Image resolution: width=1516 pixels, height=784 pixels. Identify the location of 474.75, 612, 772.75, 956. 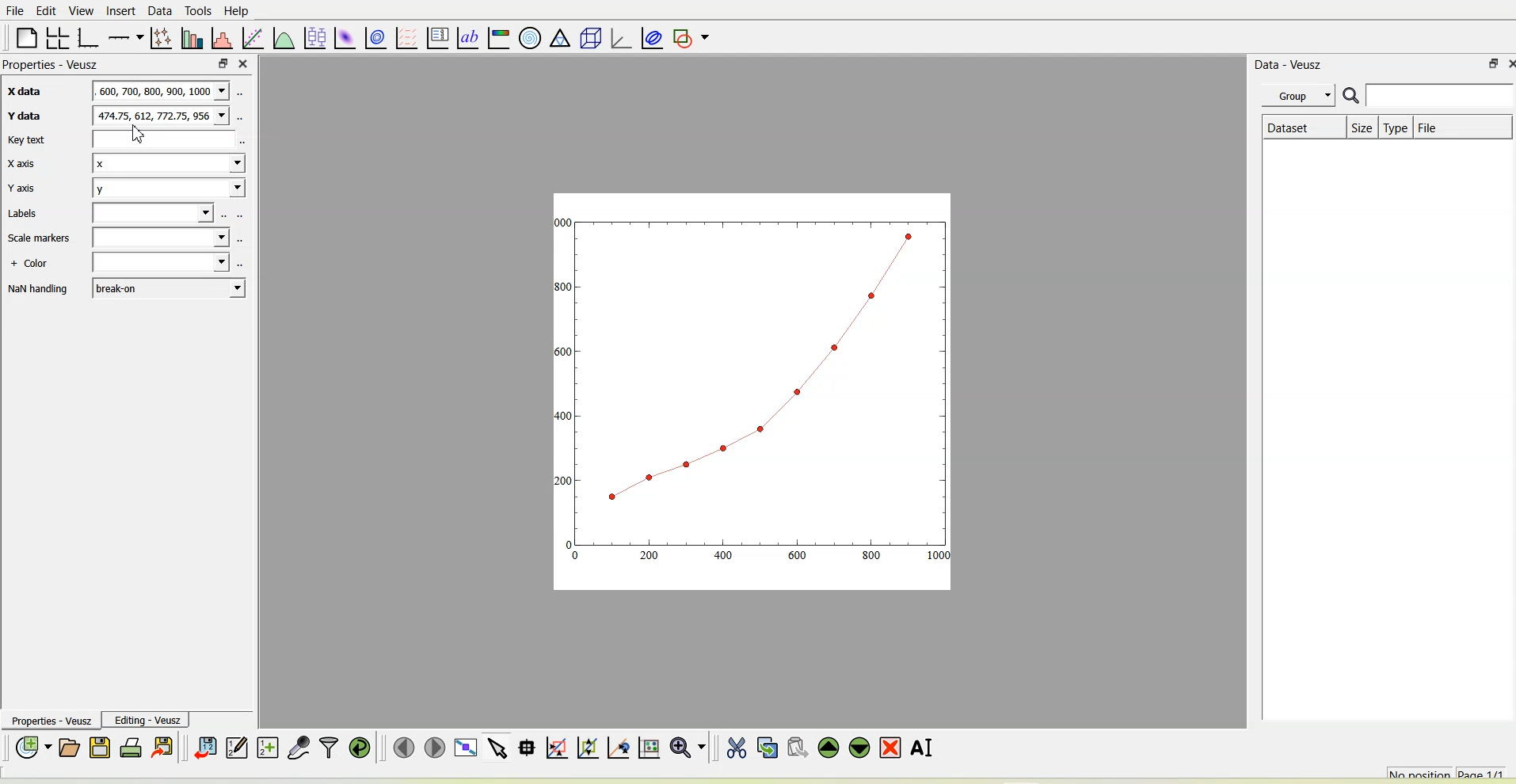
(161, 114).